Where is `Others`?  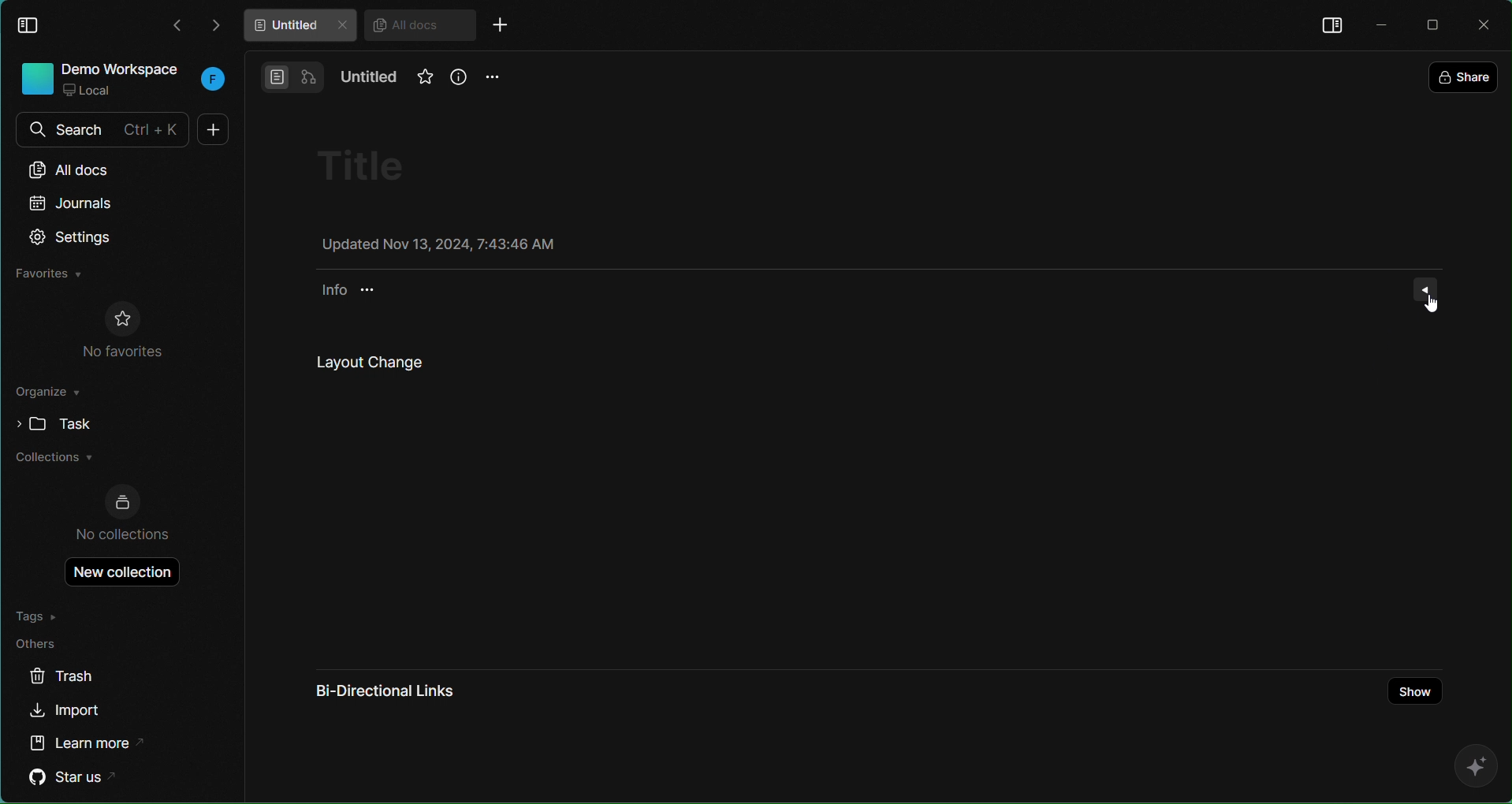
Others is located at coordinates (43, 644).